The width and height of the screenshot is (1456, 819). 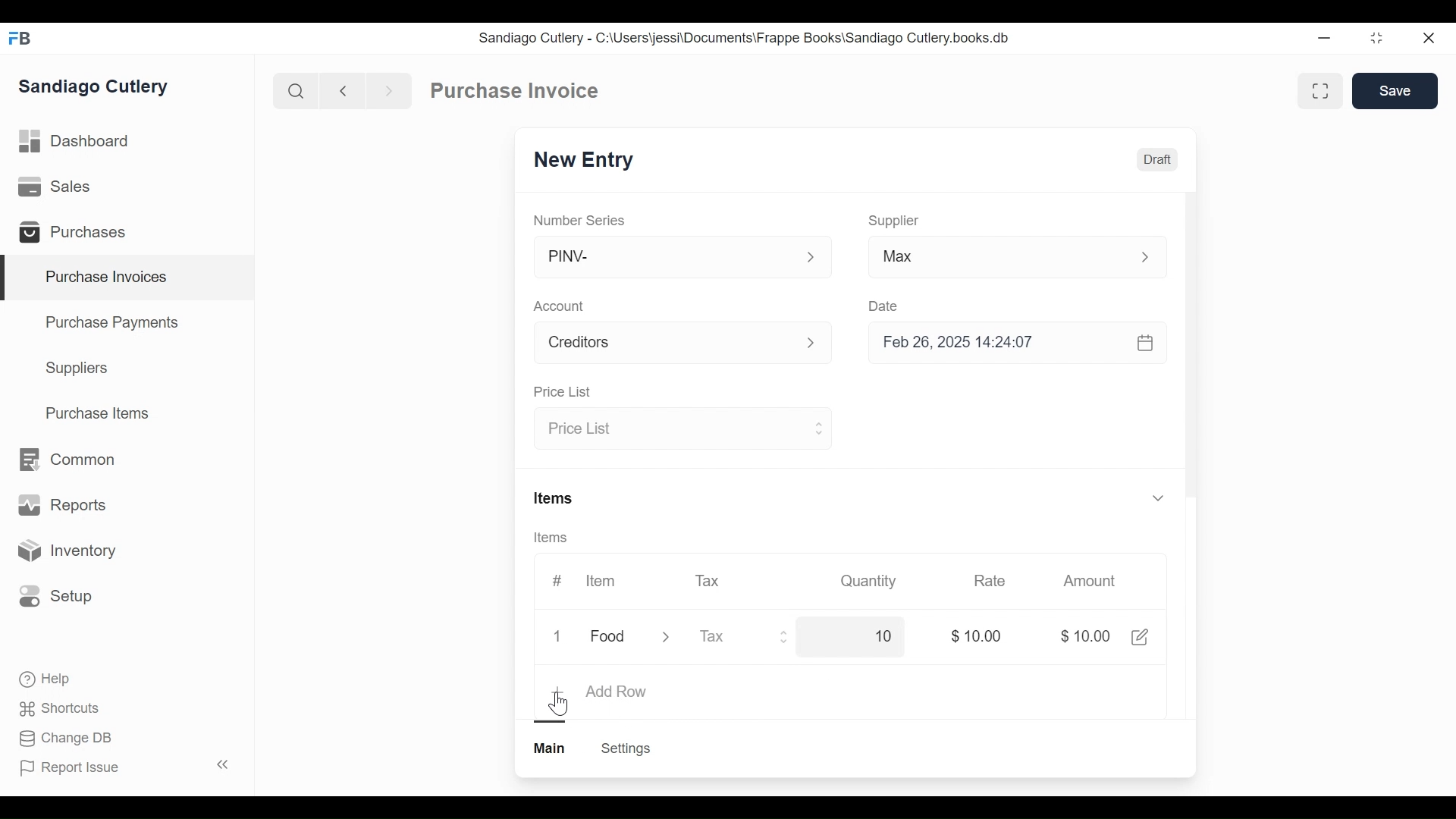 I want to click on Common, so click(x=65, y=460).